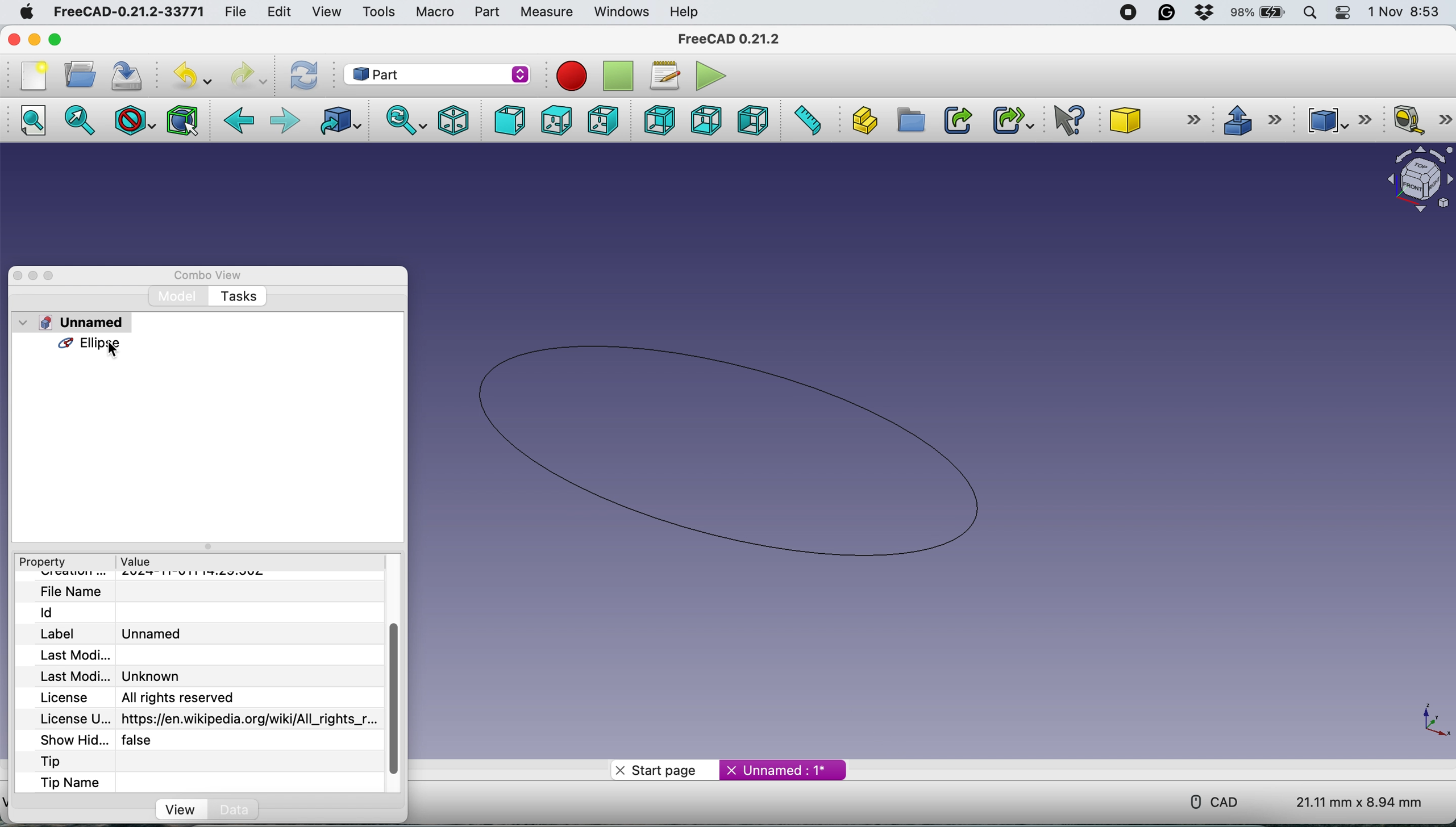 This screenshot has width=1456, height=827. Describe the element at coordinates (802, 121) in the screenshot. I see `measure distance` at that location.